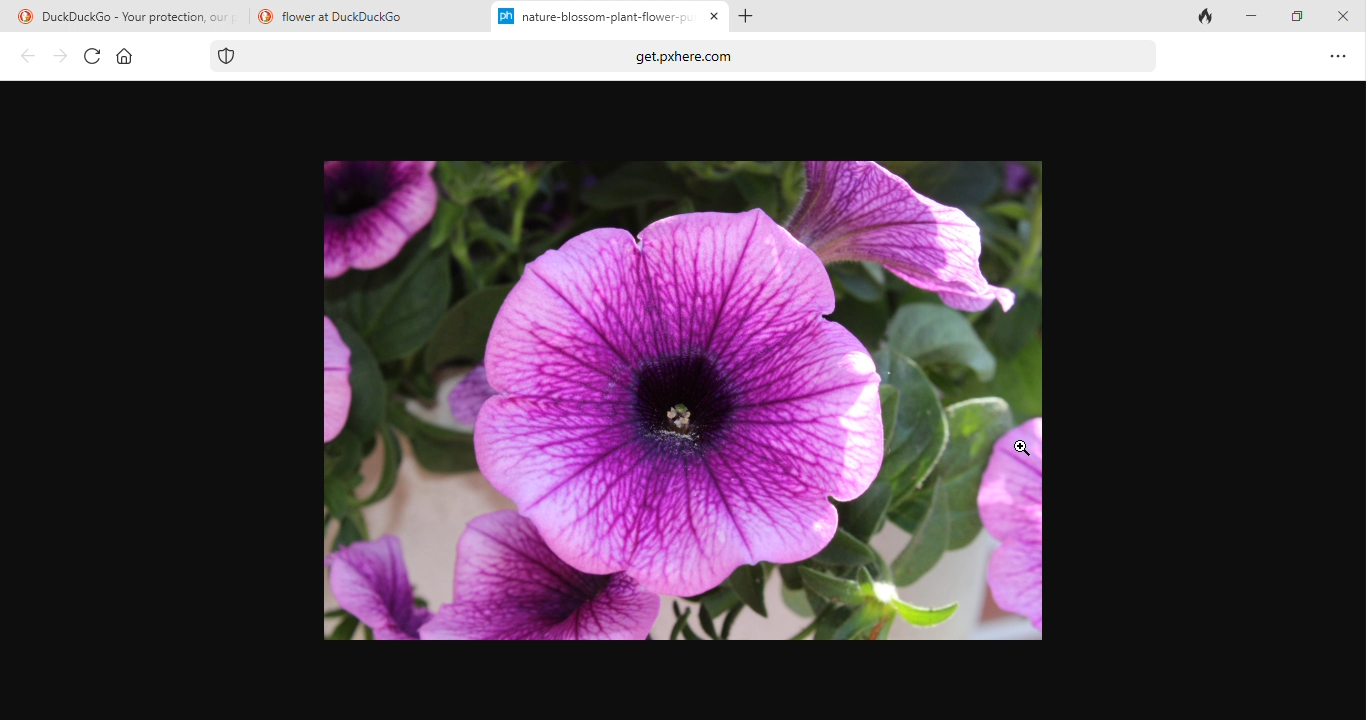 This screenshot has width=1366, height=720. Describe the element at coordinates (717, 18) in the screenshot. I see `close` at that location.